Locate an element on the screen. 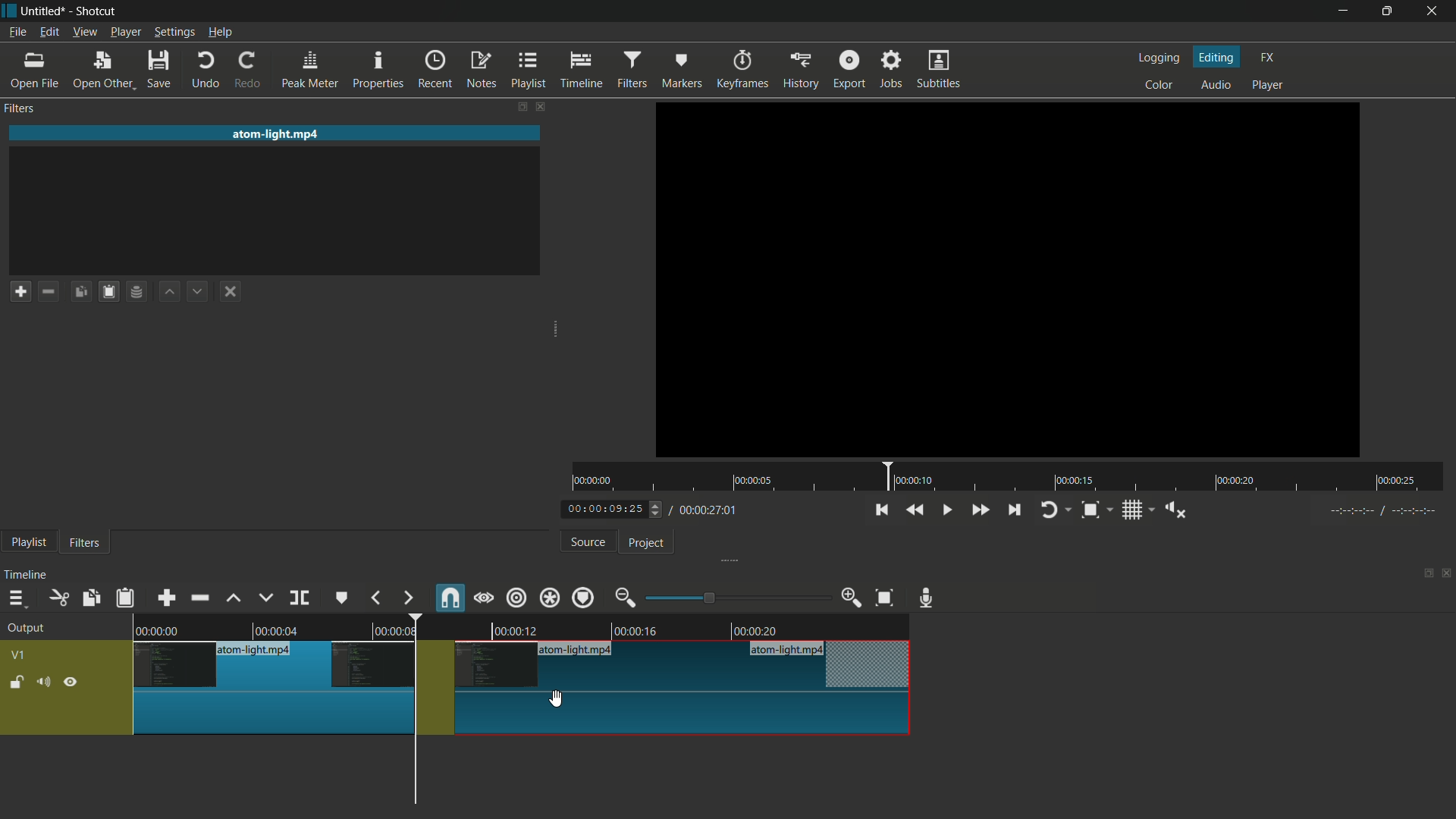 Image resolution: width=1456 pixels, height=819 pixels. paste filters is located at coordinates (111, 291).